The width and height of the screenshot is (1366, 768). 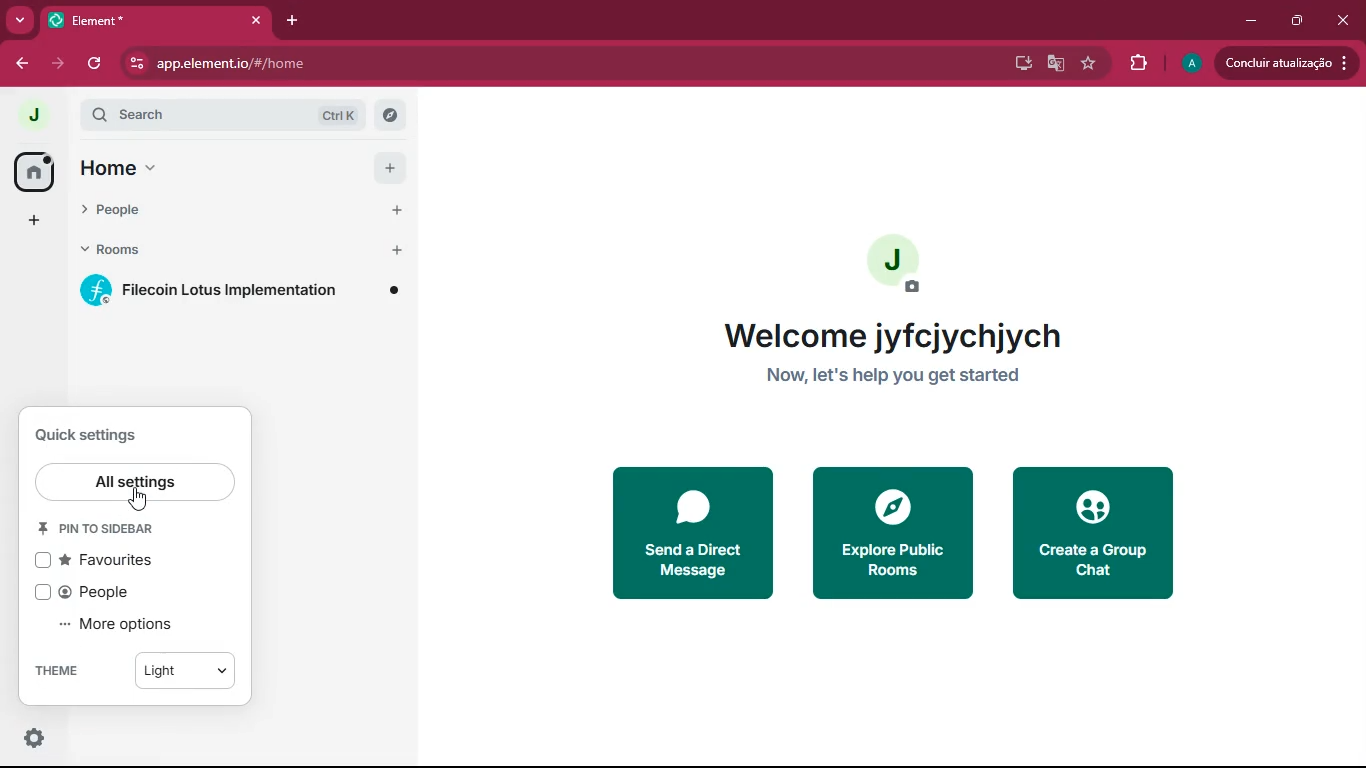 I want to click on add room, so click(x=398, y=250).